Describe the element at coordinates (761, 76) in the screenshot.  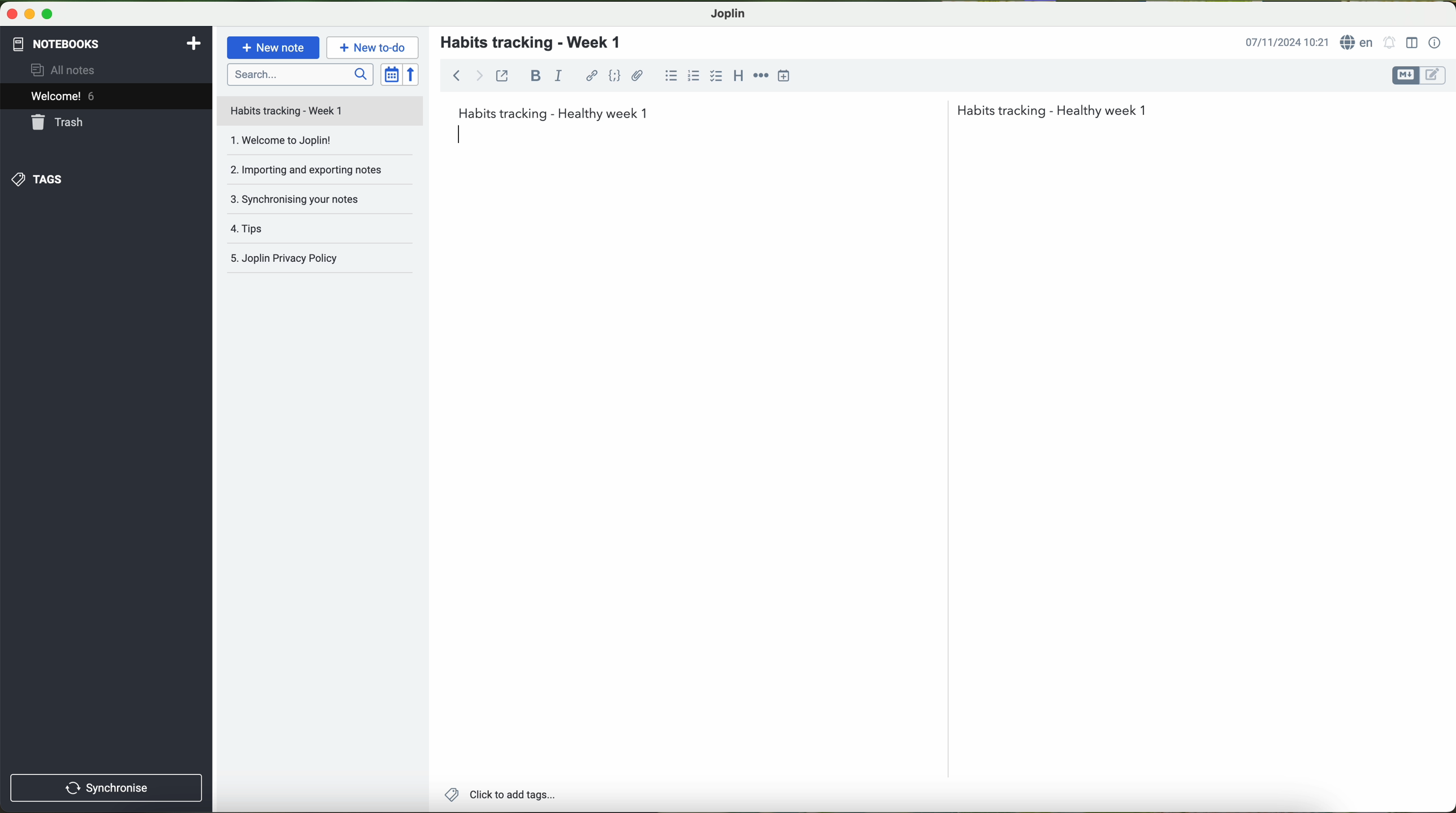
I see `horizontal rule` at that location.